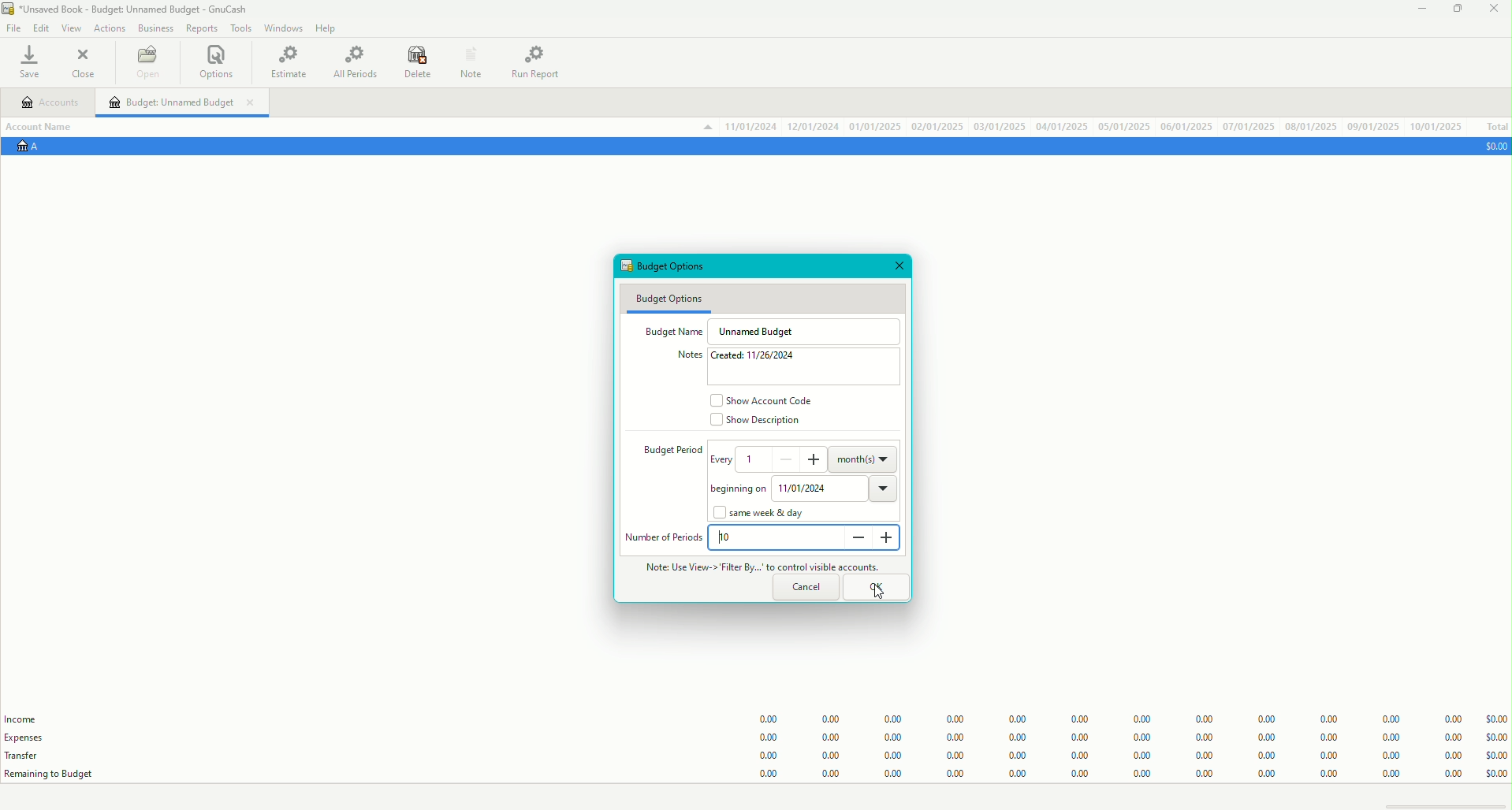 The width and height of the screenshot is (1512, 810). I want to click on Unsaved Book - GnuCash, so click(128, 10).